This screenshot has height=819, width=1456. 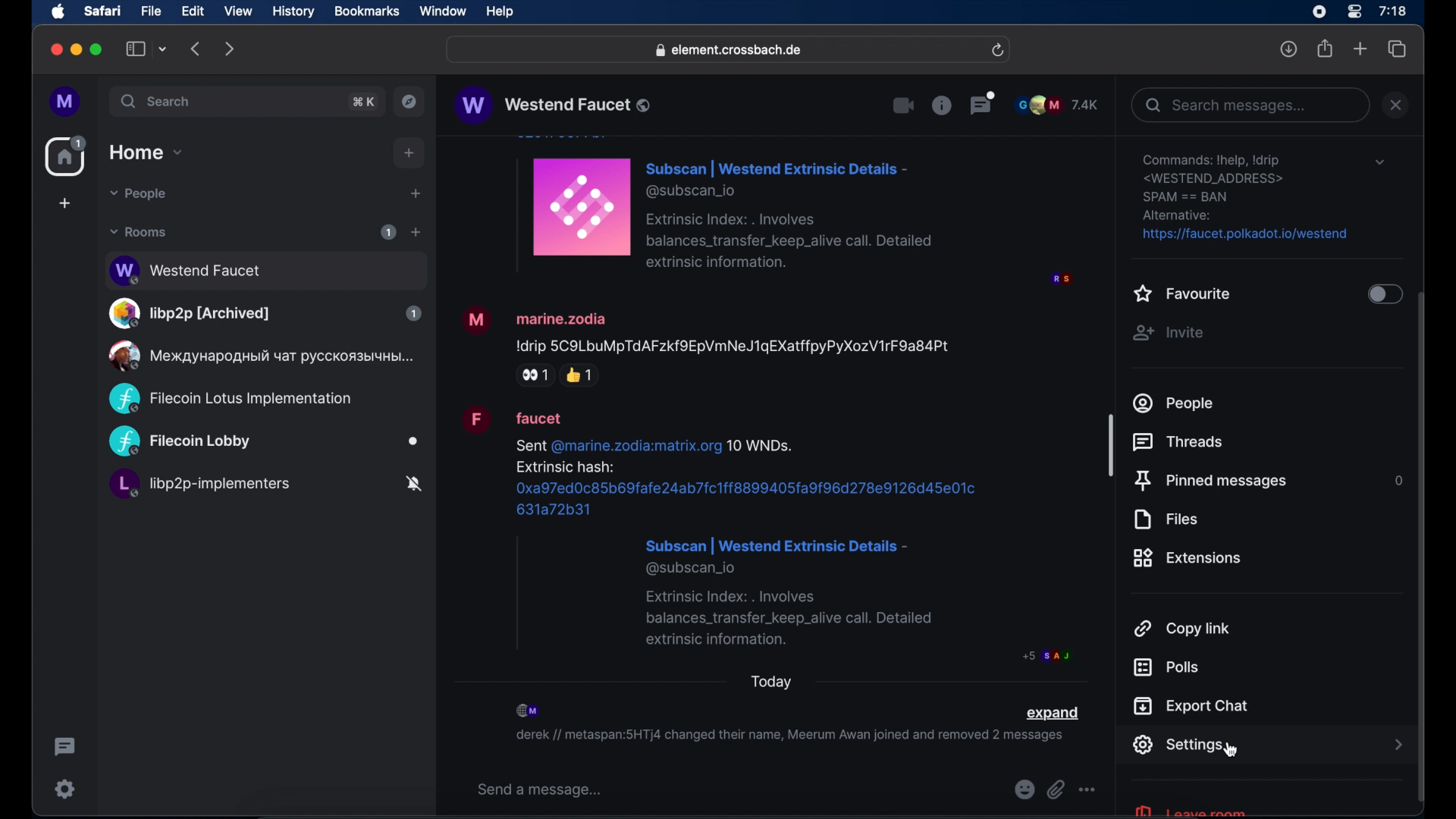 I want to click on explore public rooms, so click(x=409, y=102).